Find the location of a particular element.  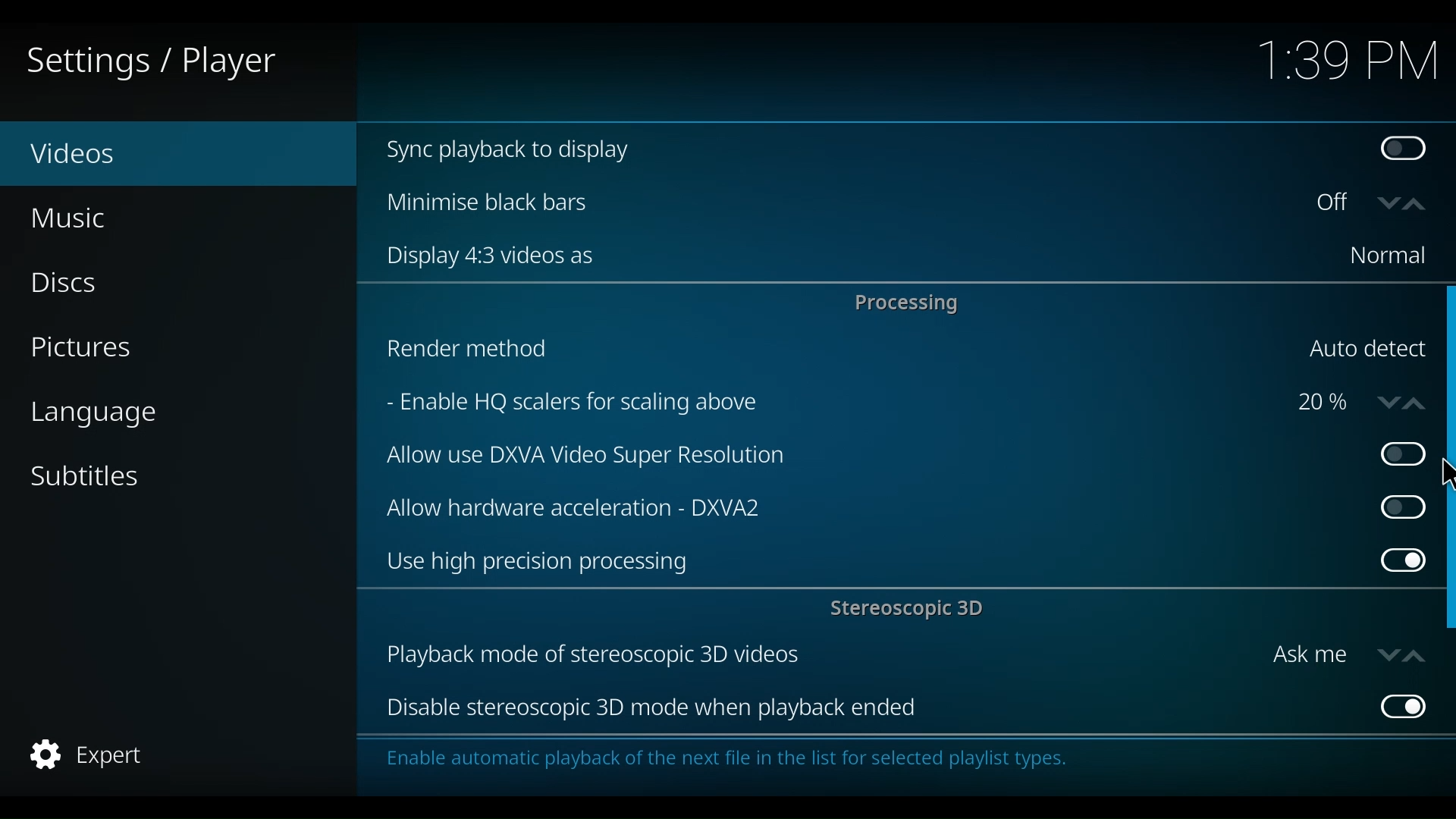

Toggle Sync playback to display is located at coordinates (1407, 151).